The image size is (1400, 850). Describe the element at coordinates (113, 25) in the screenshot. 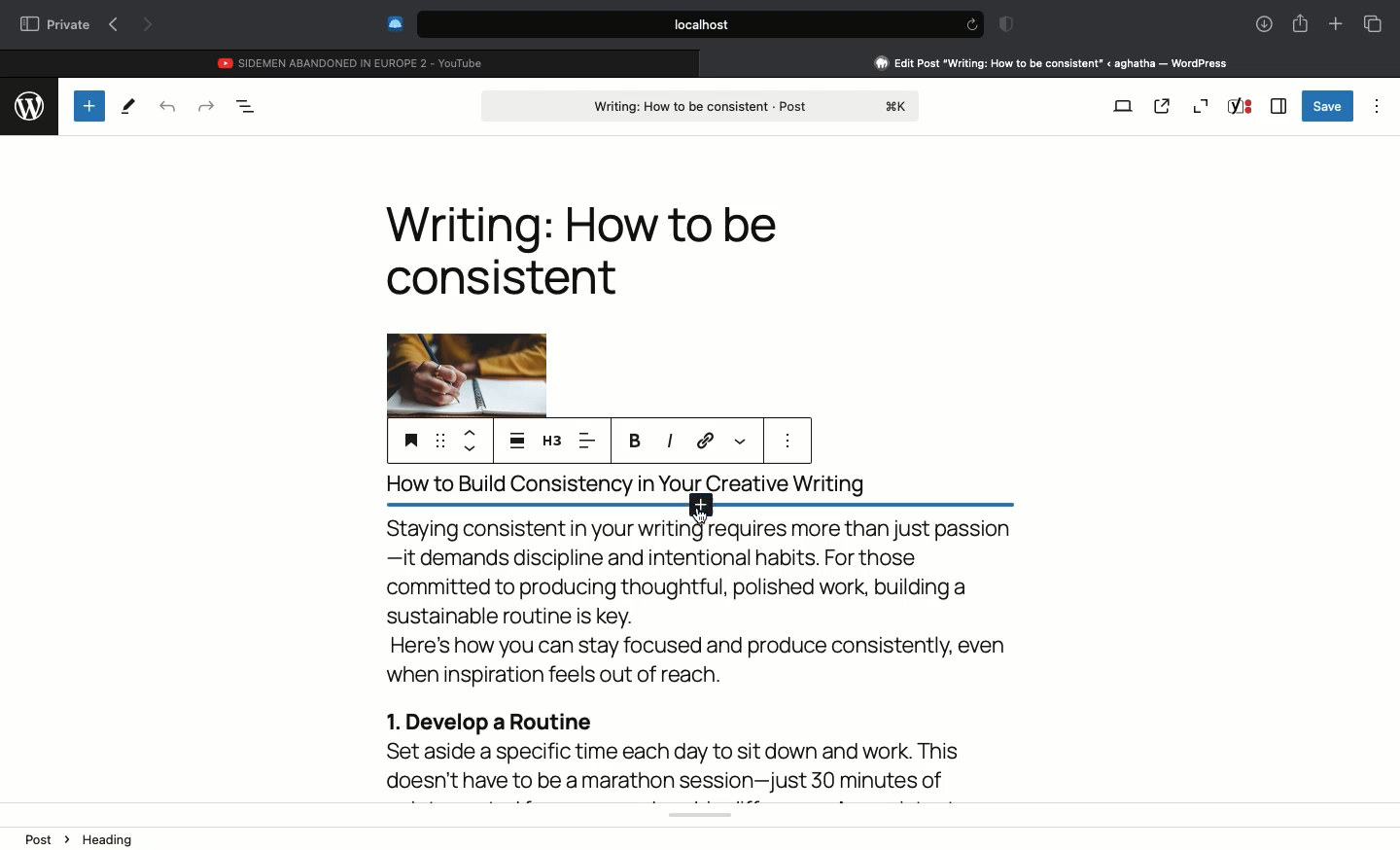

I see `Previous page` at that location.